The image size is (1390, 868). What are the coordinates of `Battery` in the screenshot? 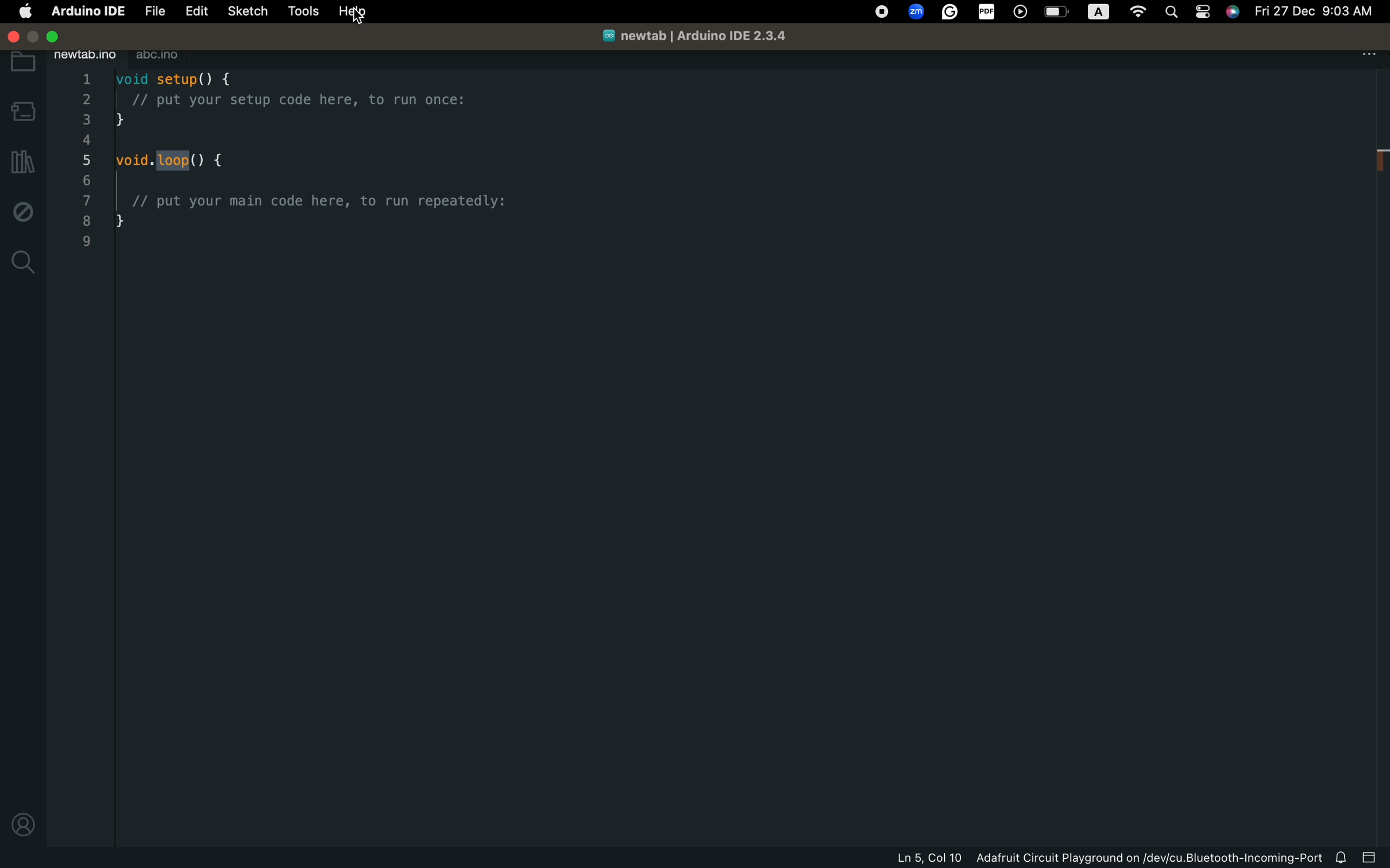 It's located at (1059, 10).